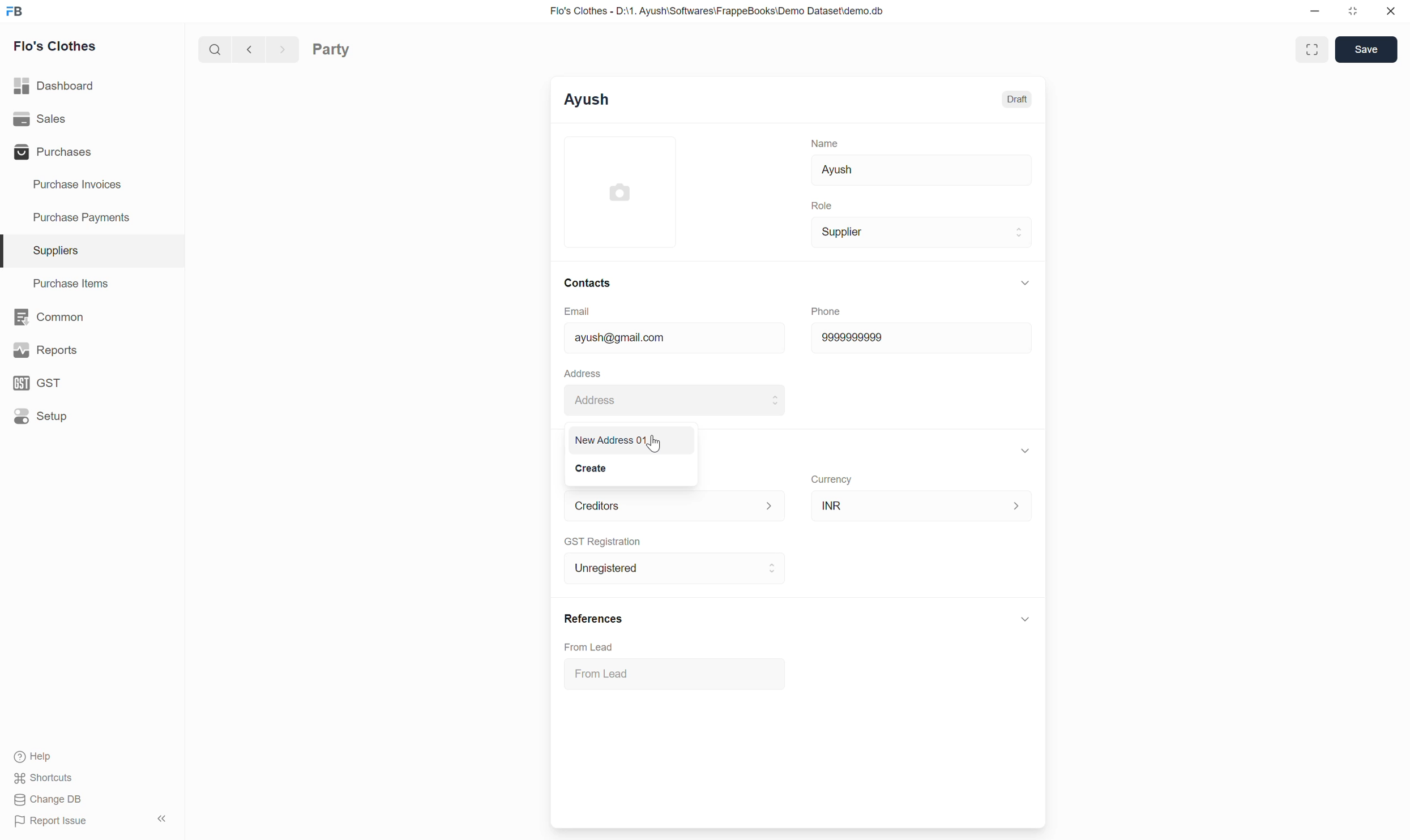 The image size is (1410, 840). Describe the element at coordinates (1311, 49) in the screenshot. I see `Toggle between form and full width` at that location.